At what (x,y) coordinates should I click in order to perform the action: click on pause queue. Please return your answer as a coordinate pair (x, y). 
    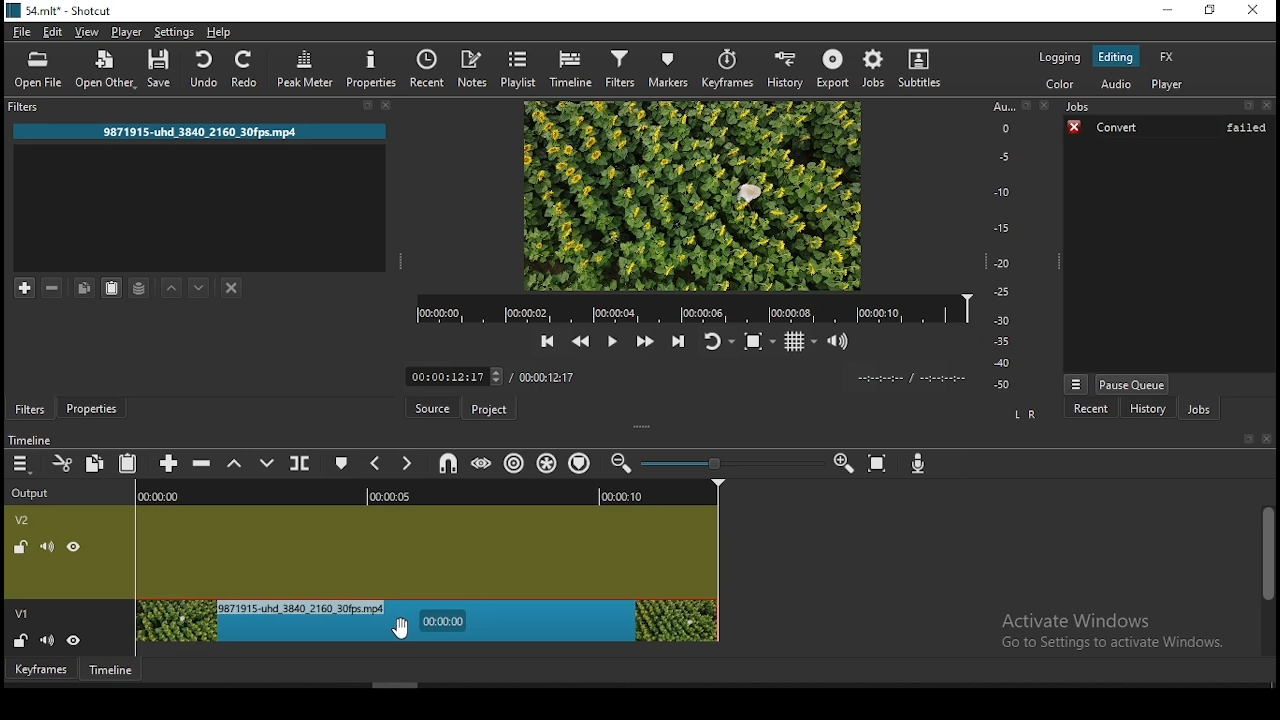
    Looking at the image, I should click on (1131, 382).